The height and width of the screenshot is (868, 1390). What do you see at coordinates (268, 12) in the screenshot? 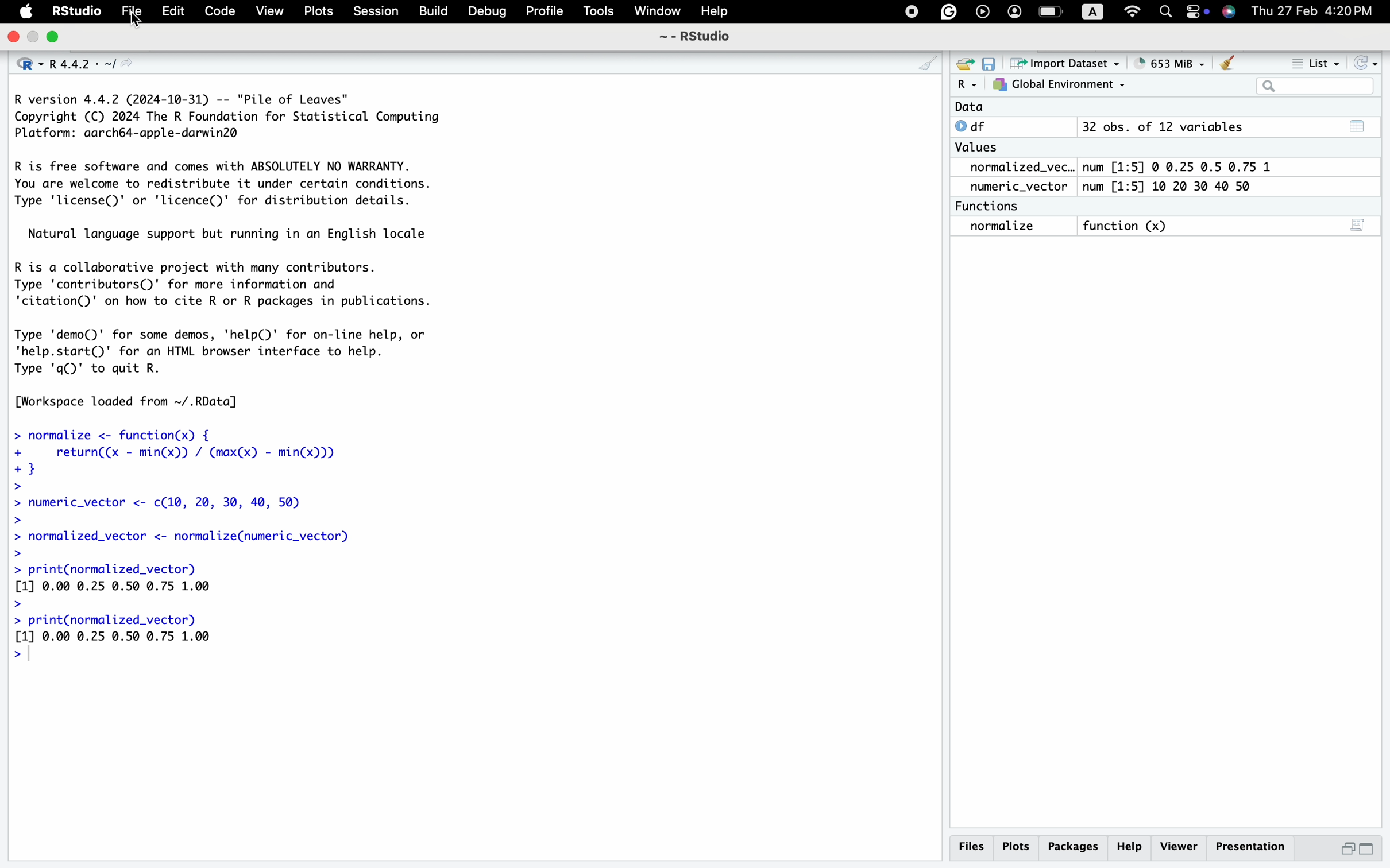
I see `View` at bounding box center [268, 12].